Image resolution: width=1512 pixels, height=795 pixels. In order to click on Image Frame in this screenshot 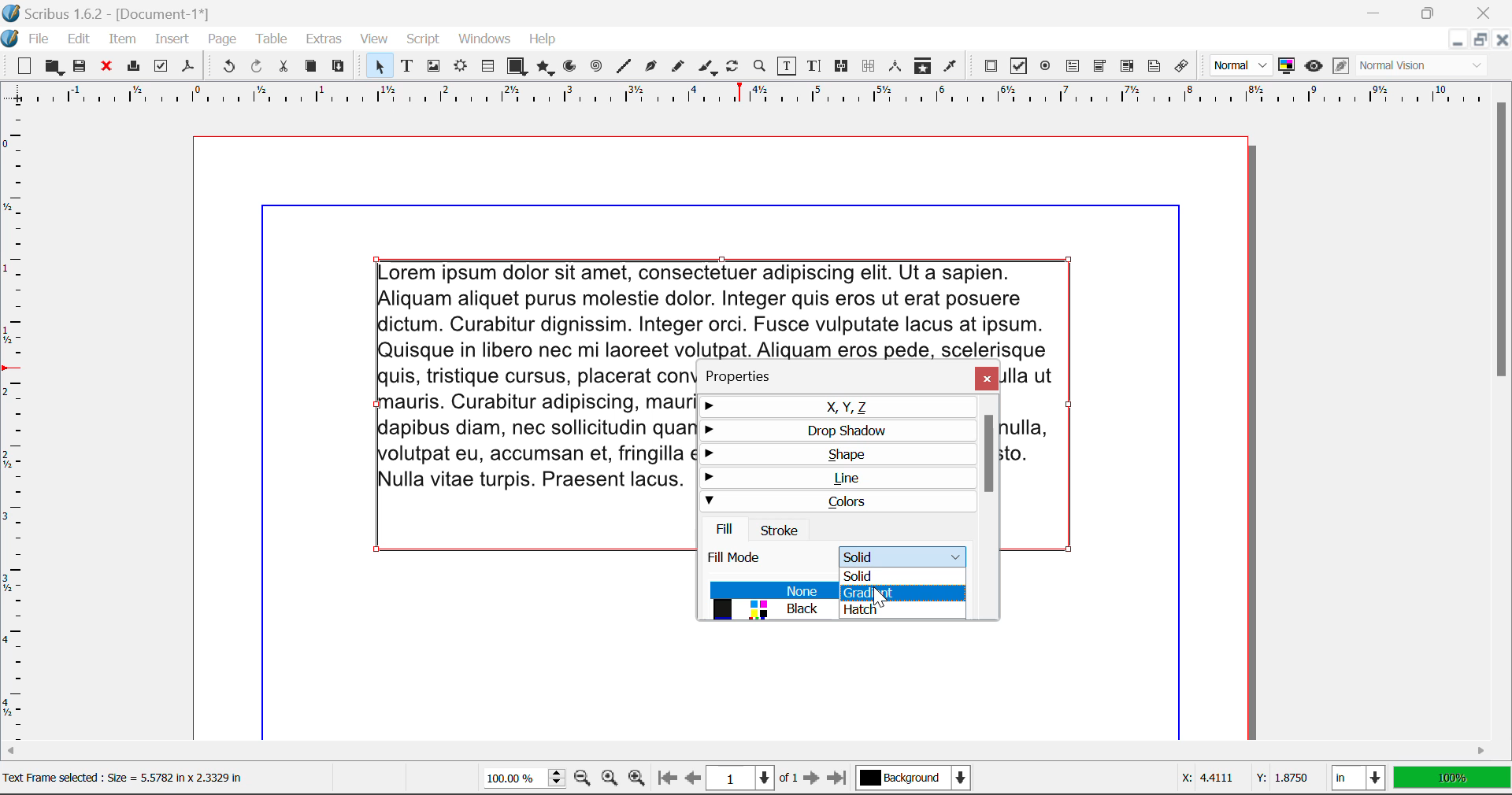, I will do `click(433, 68)`.